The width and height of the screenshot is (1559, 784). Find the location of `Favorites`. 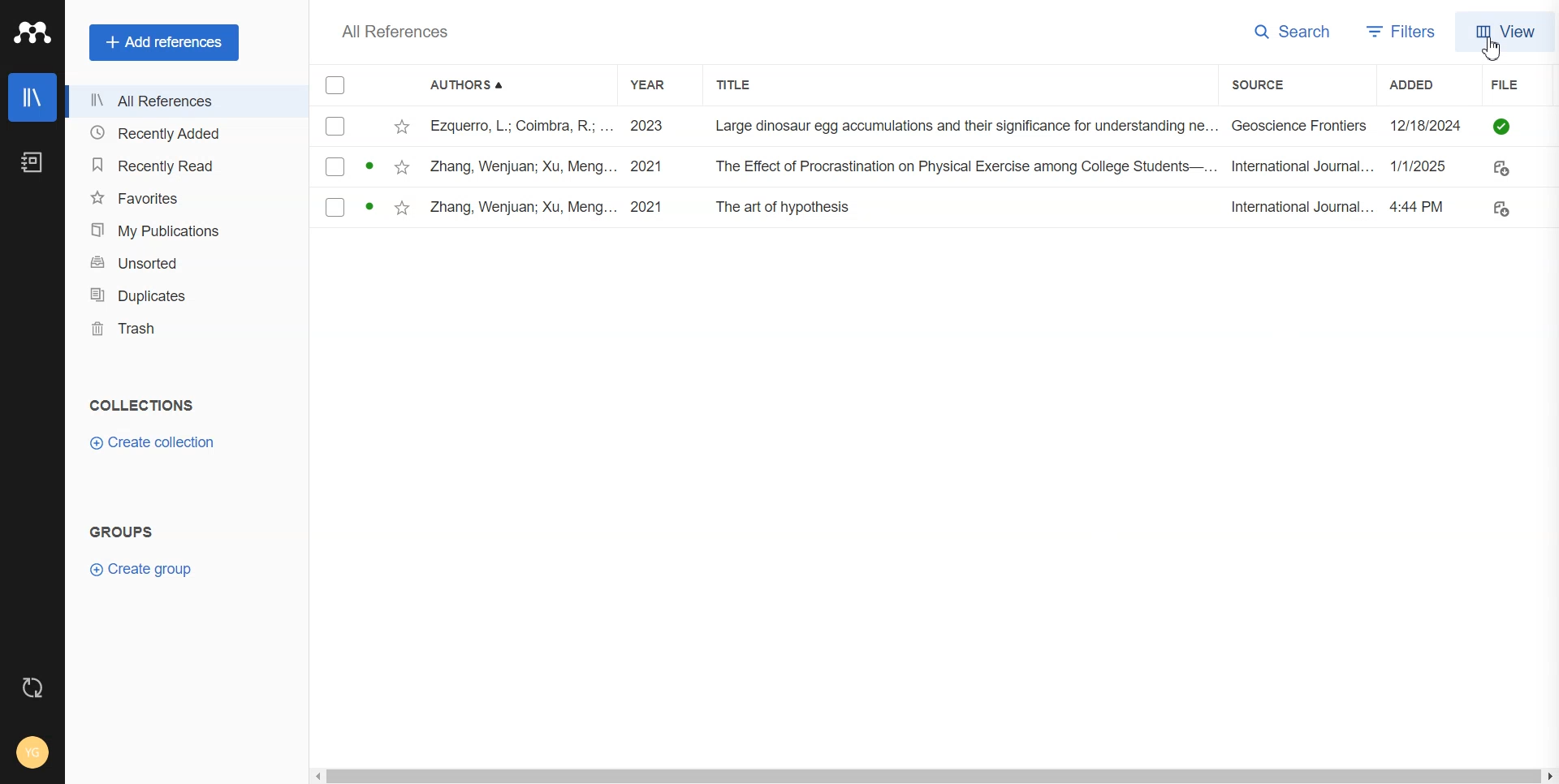

Favorites is located at coordinates (171, 198).